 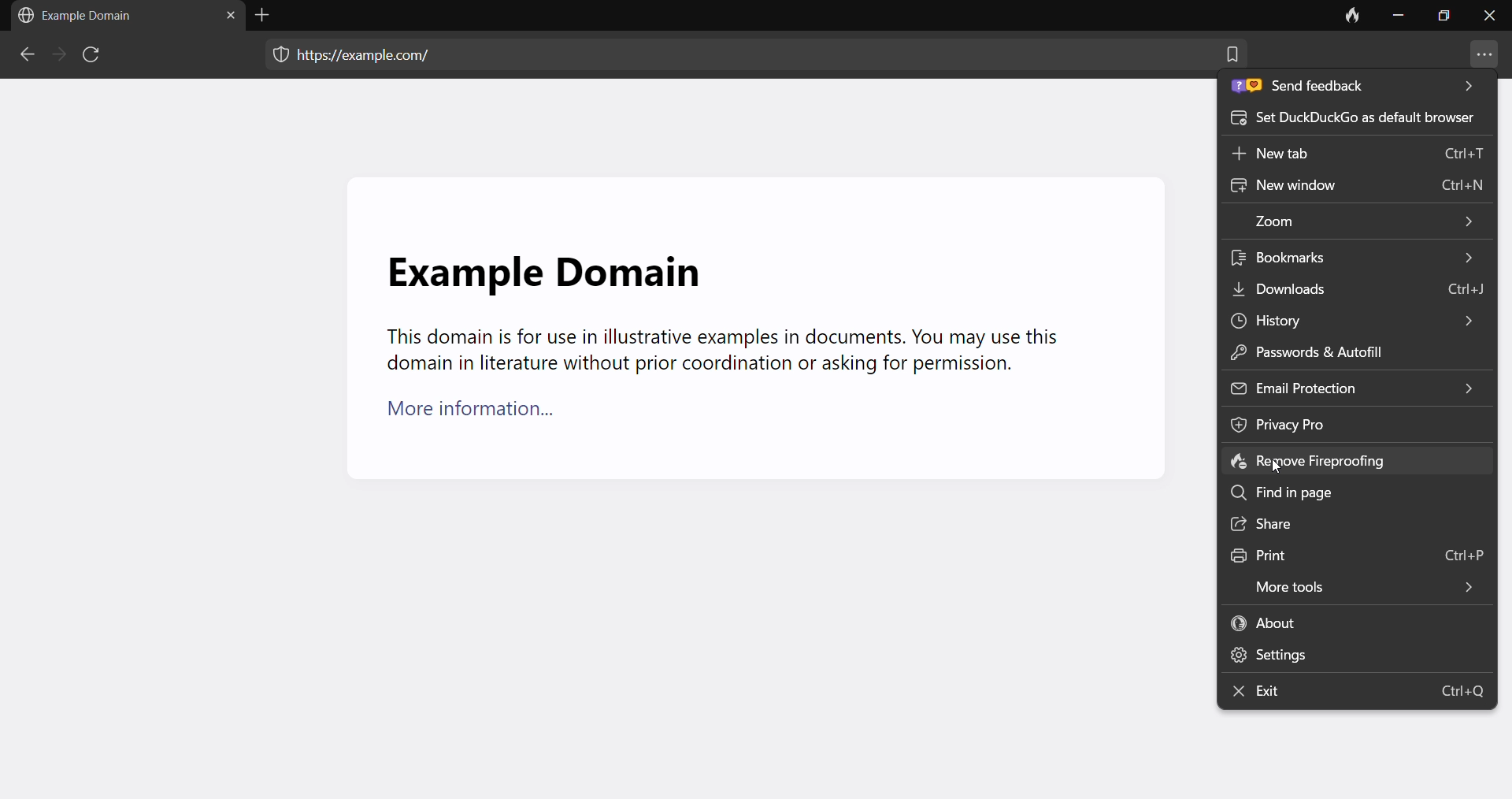 I want to click on more settings, so click(x=1484, y=57).